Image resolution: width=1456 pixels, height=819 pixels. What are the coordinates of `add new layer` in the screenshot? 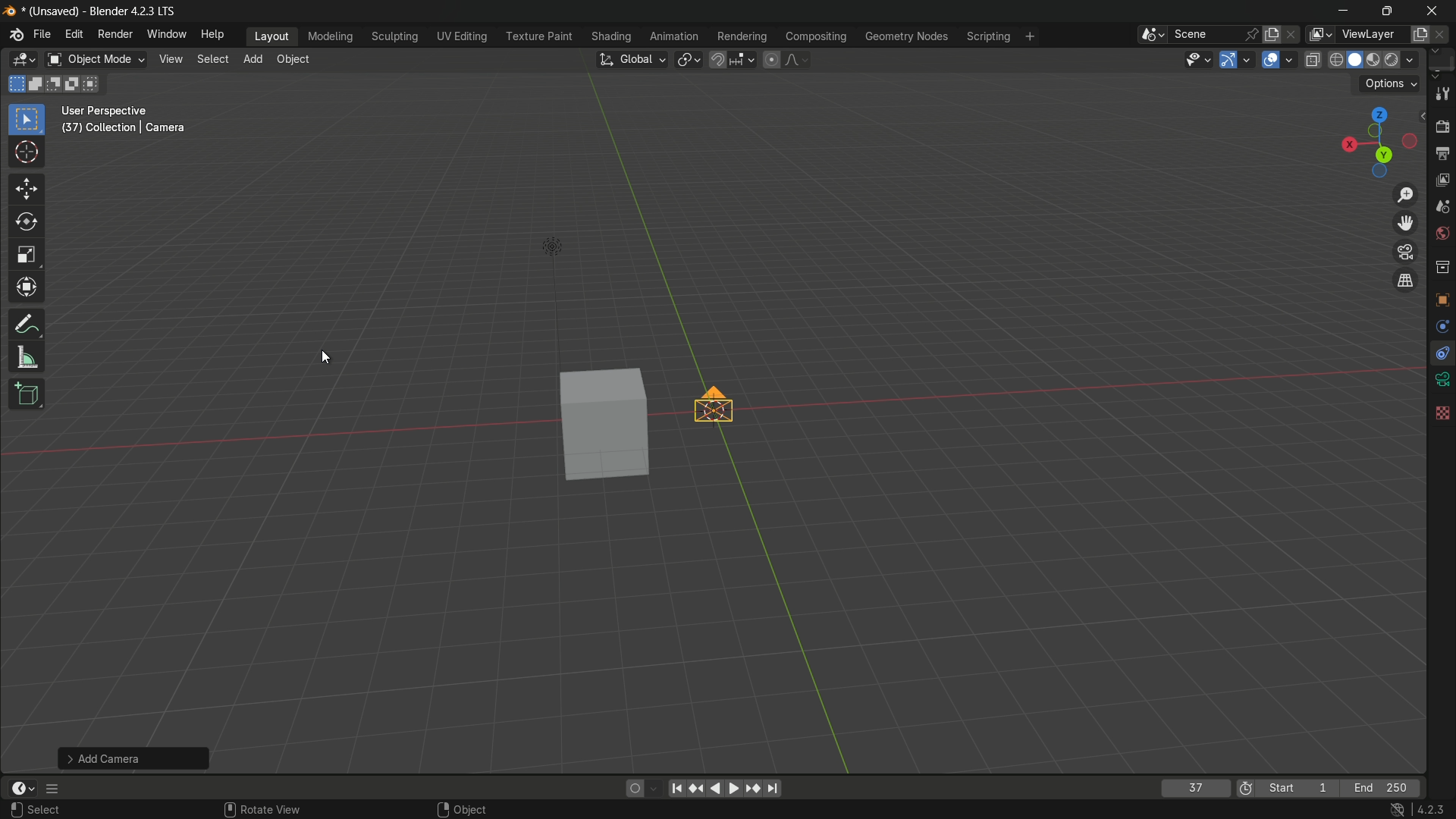 It's located at (1420, 34).